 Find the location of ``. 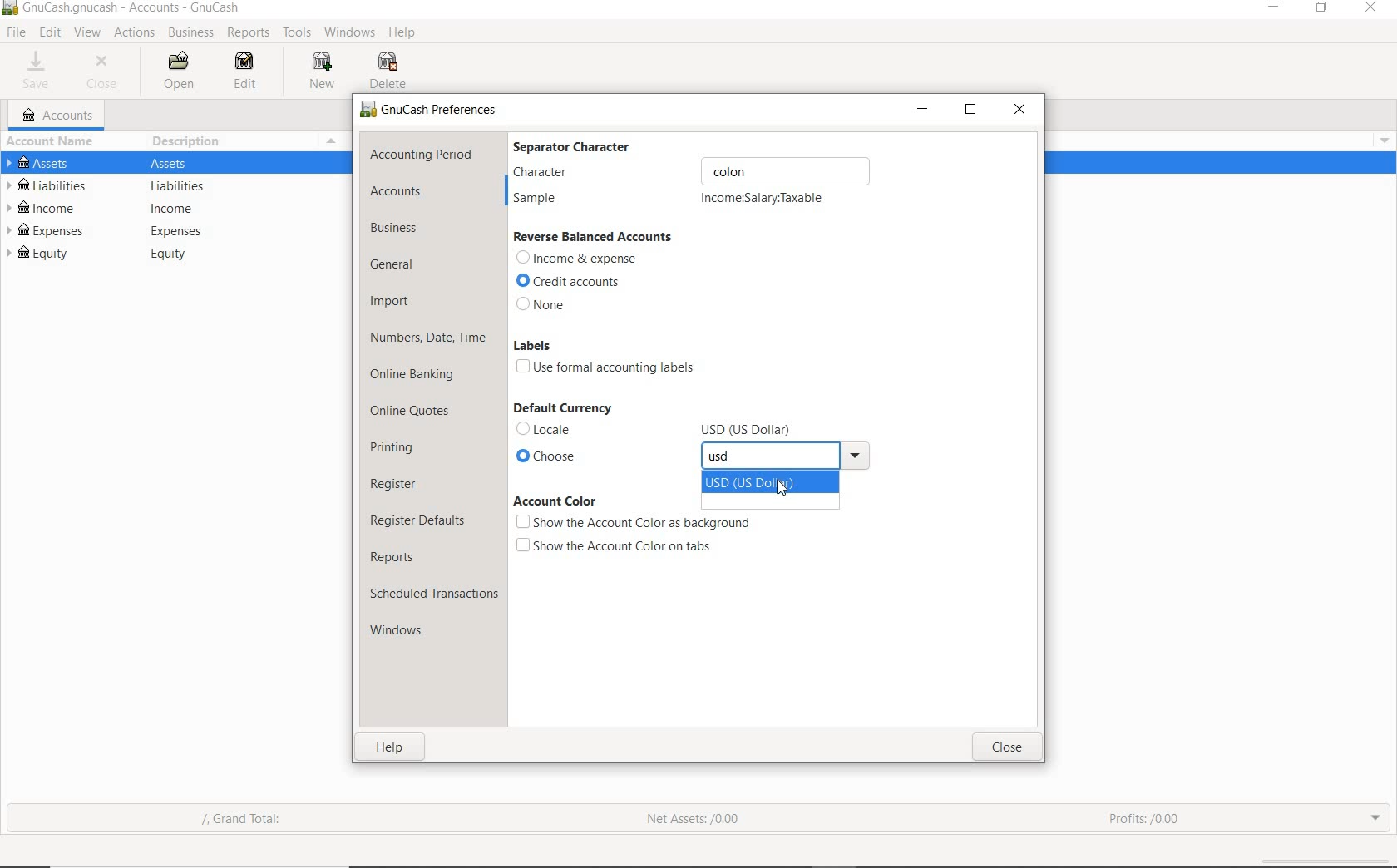

 is located at coordinates (175, 258).